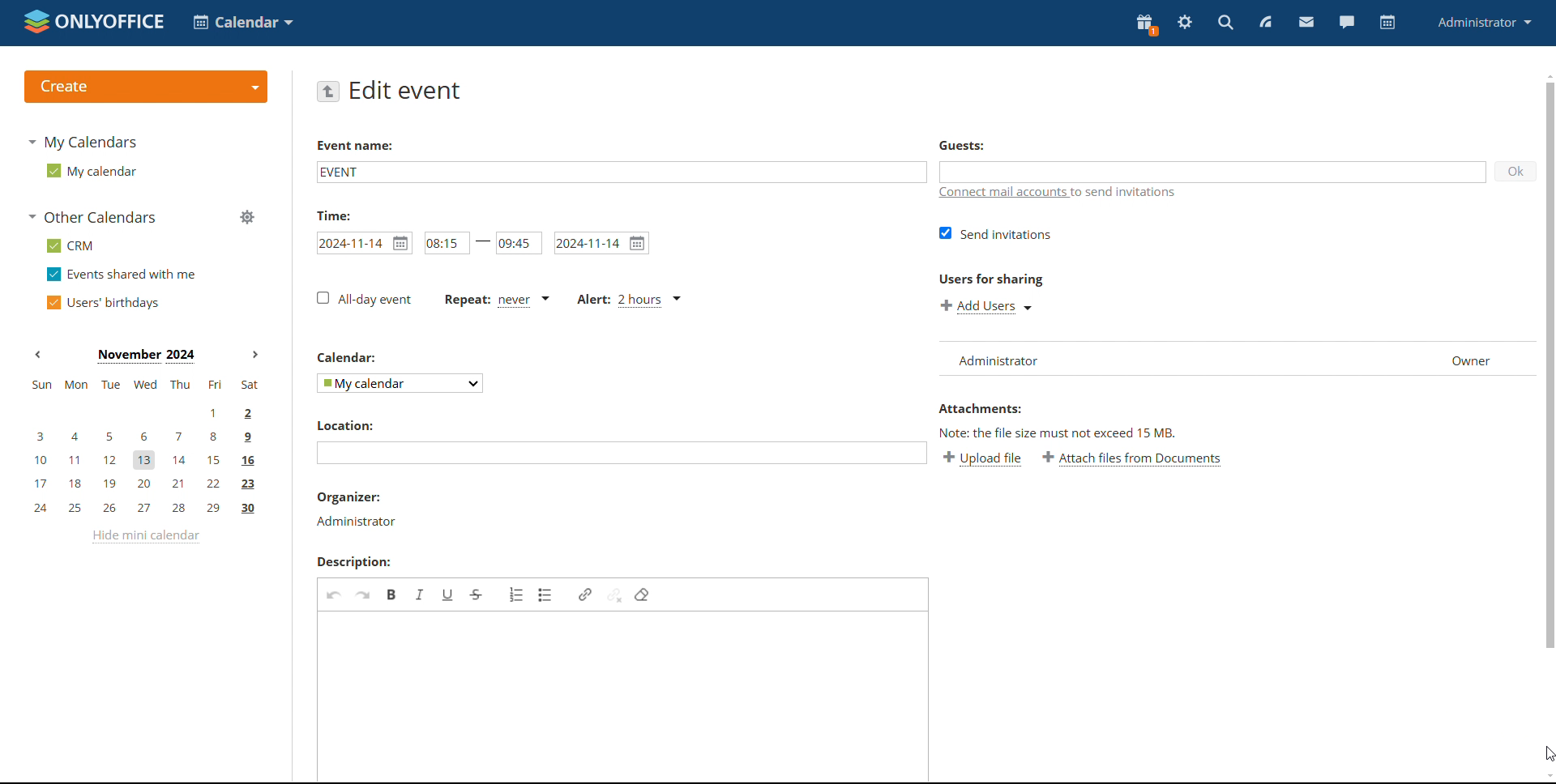  What do you see at coordinates (363, 244) in the screenshot?
I see `start date` at bounding box center [363, 244].